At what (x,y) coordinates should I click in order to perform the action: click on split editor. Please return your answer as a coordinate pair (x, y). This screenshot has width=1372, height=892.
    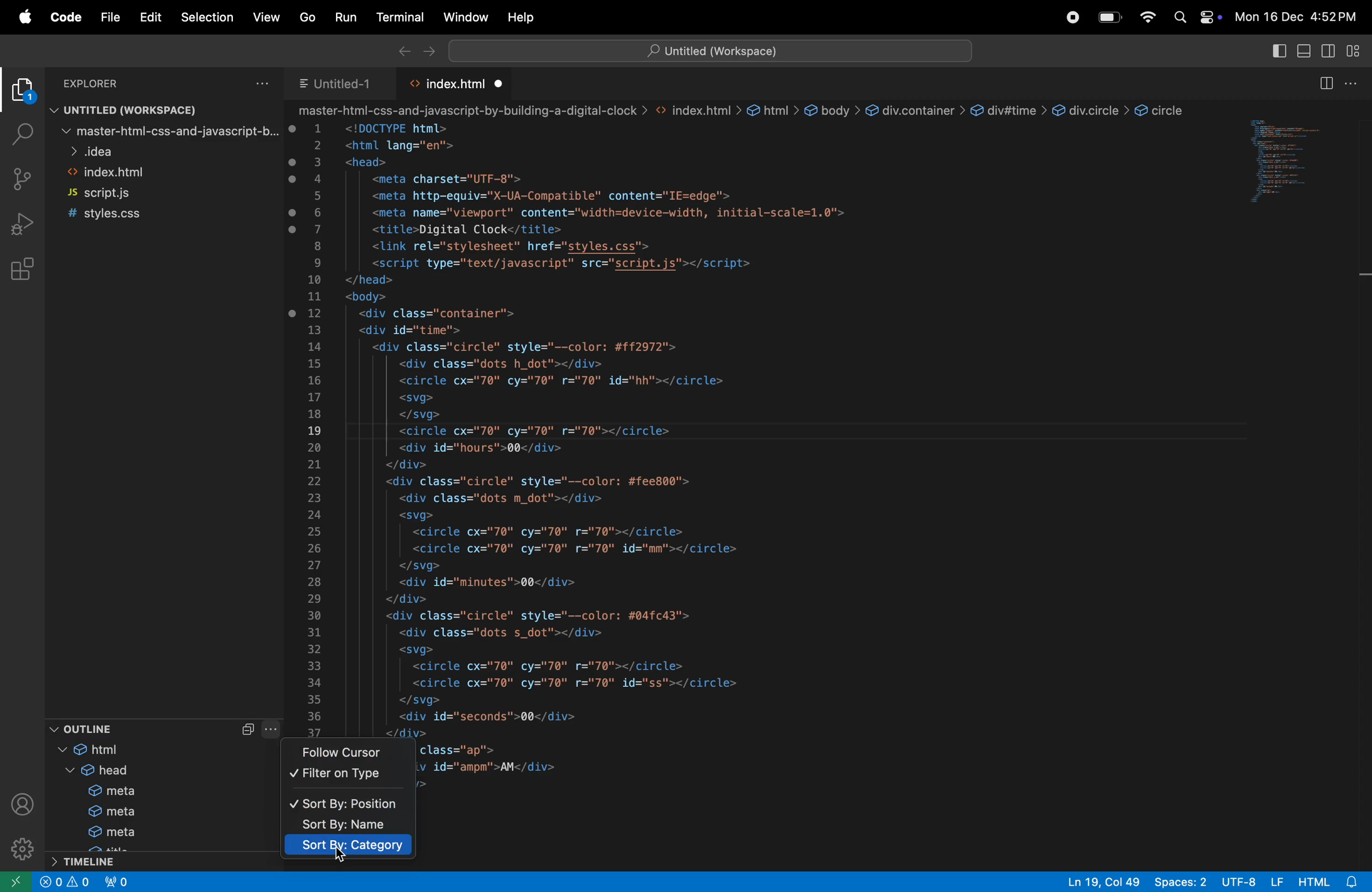
    Looking at the image, I should click on (1324, 84).